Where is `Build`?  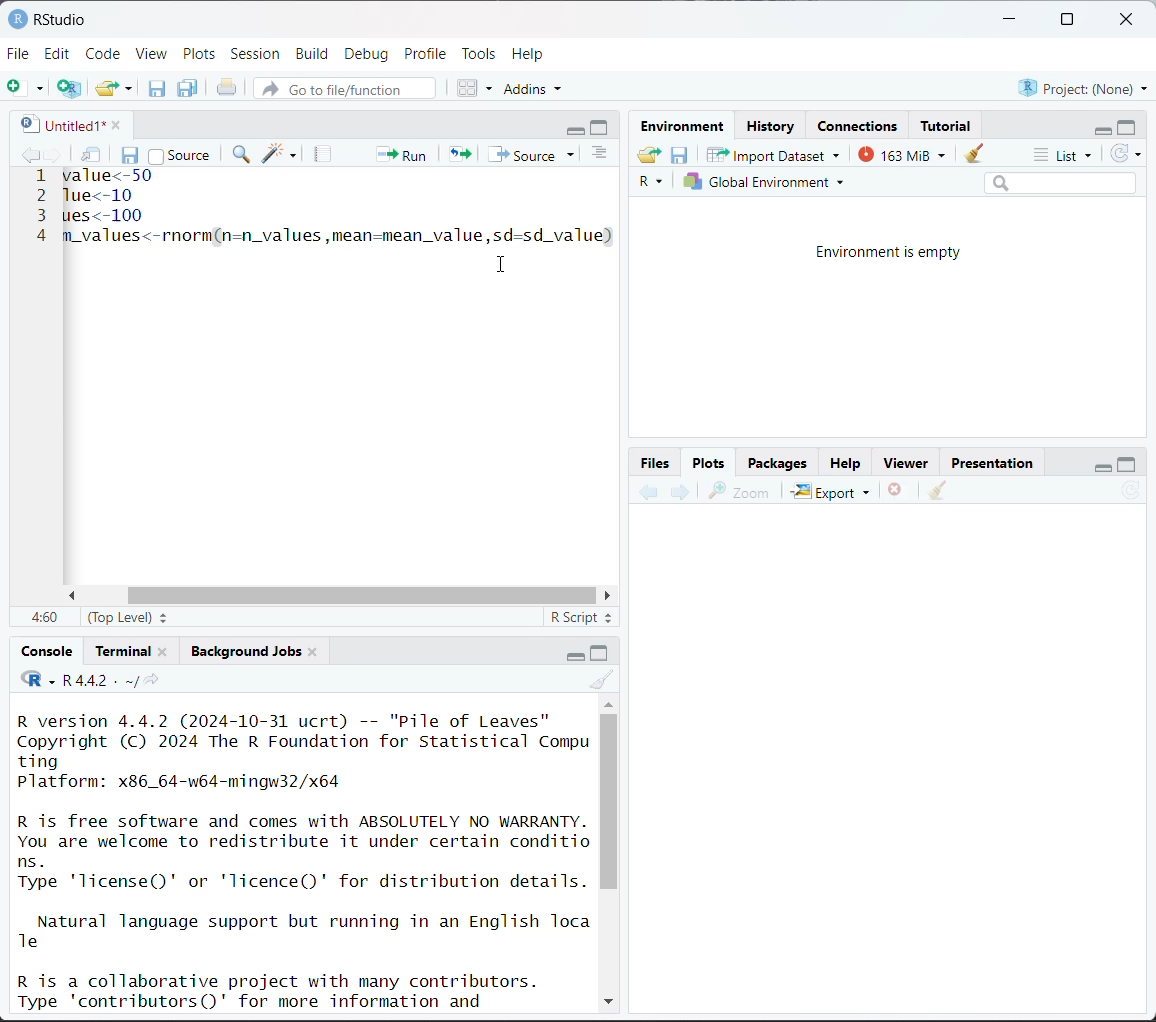
Build is located at coordinates (315, 54).